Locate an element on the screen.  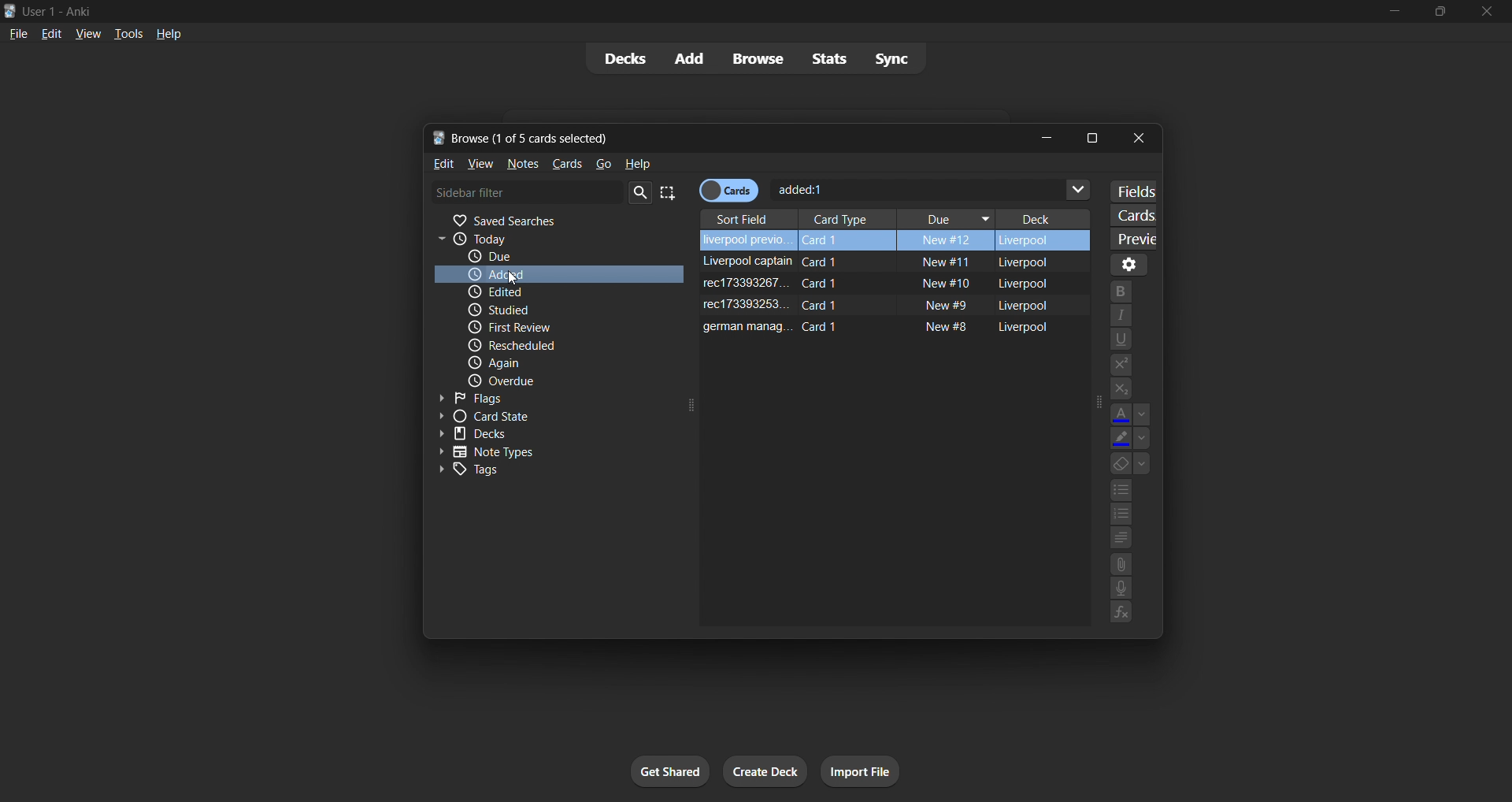
note types filter toggle is located at coordinates (545, 452).